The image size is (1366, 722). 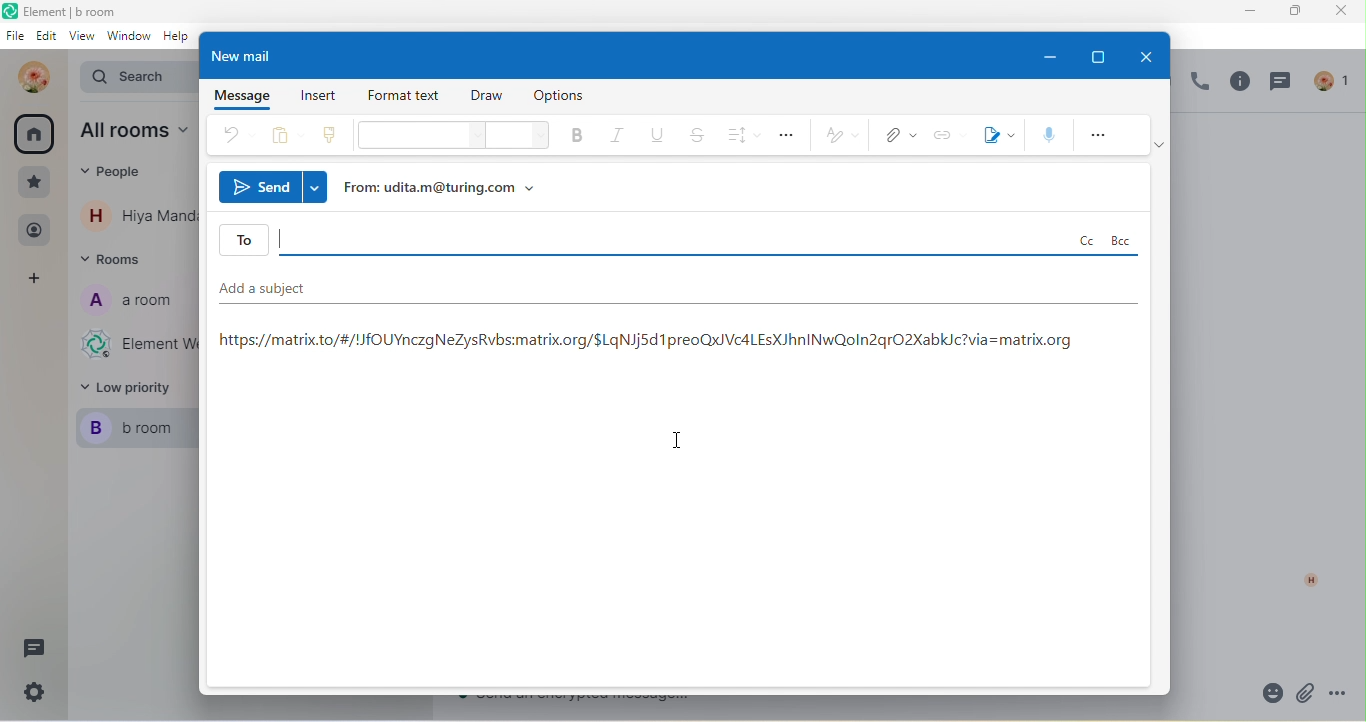 What do you see at coordinates (840, 137) in the screenshot?
I see `style` at bounding box center [840, 137].